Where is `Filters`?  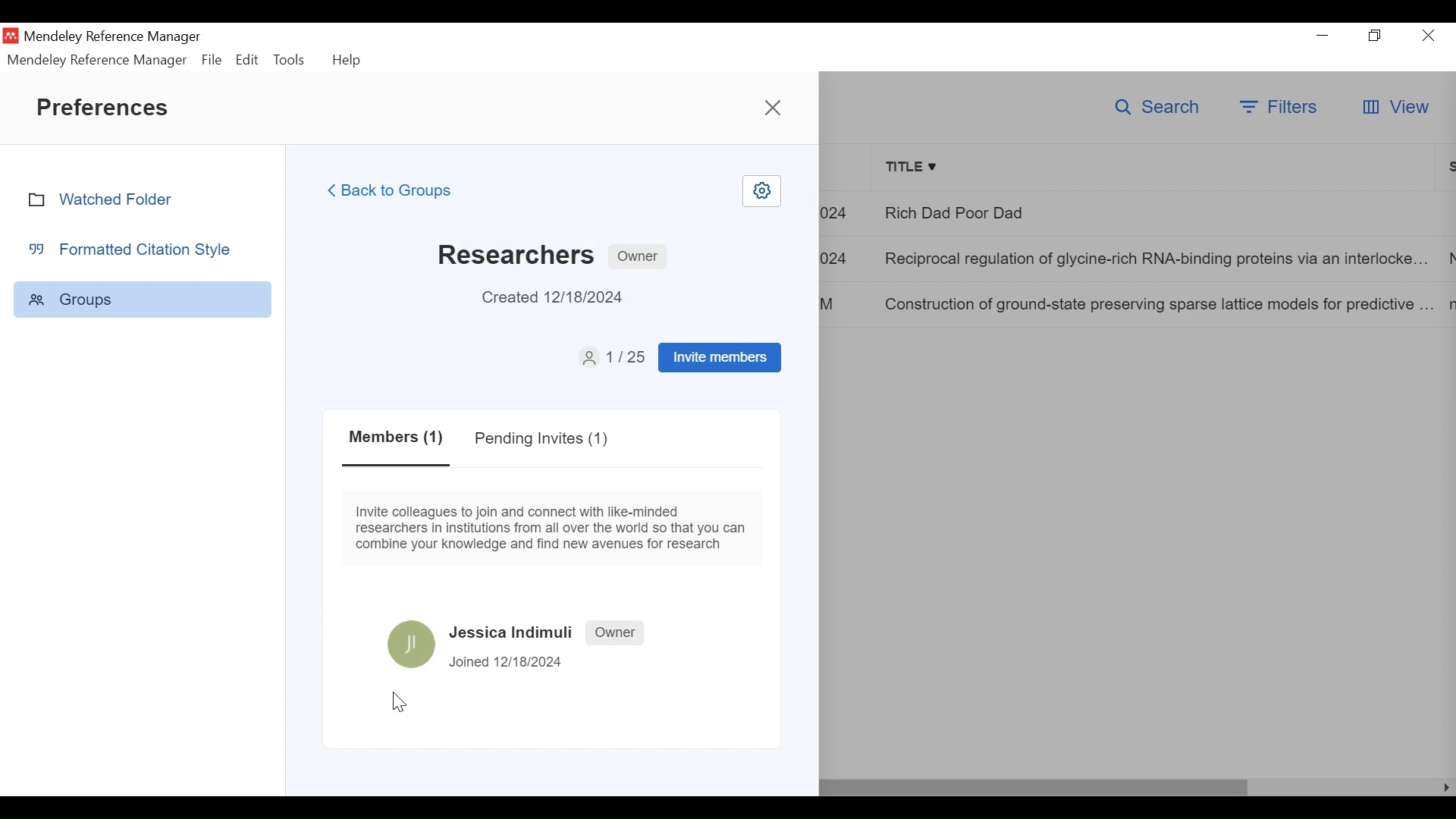 Filters is located at coordinates (1278, 106).